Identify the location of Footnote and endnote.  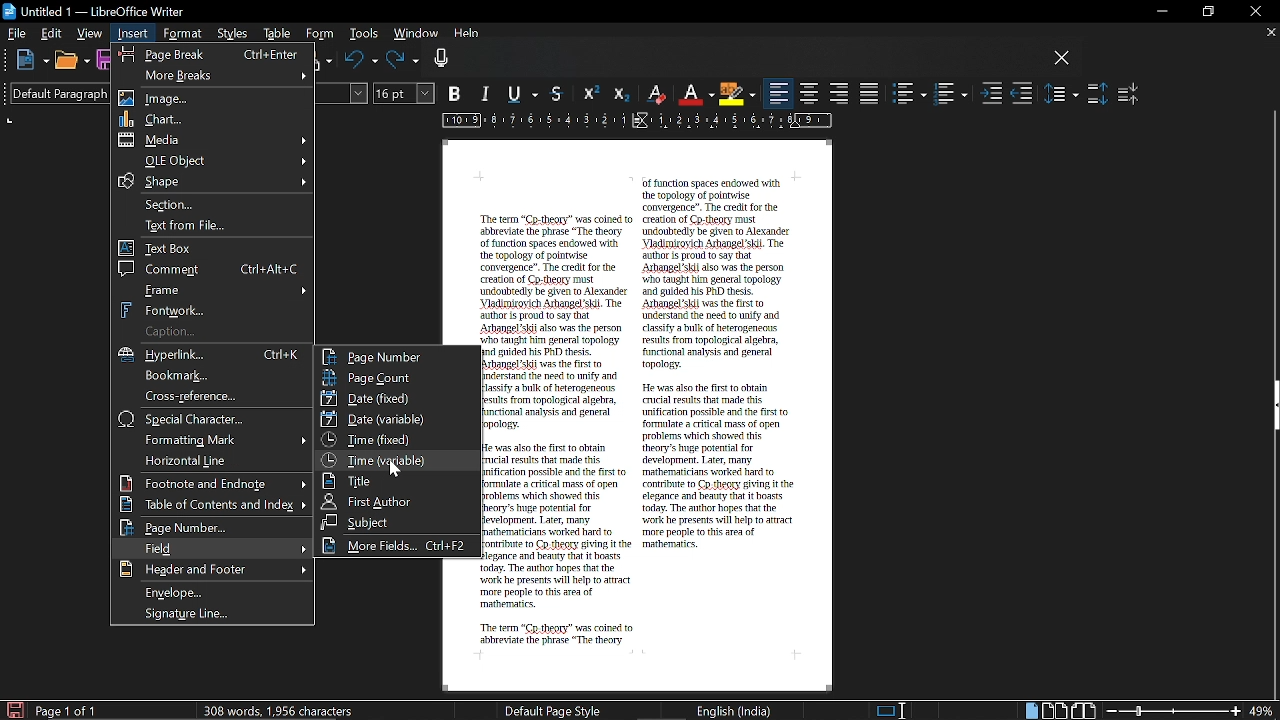
(213, 483).